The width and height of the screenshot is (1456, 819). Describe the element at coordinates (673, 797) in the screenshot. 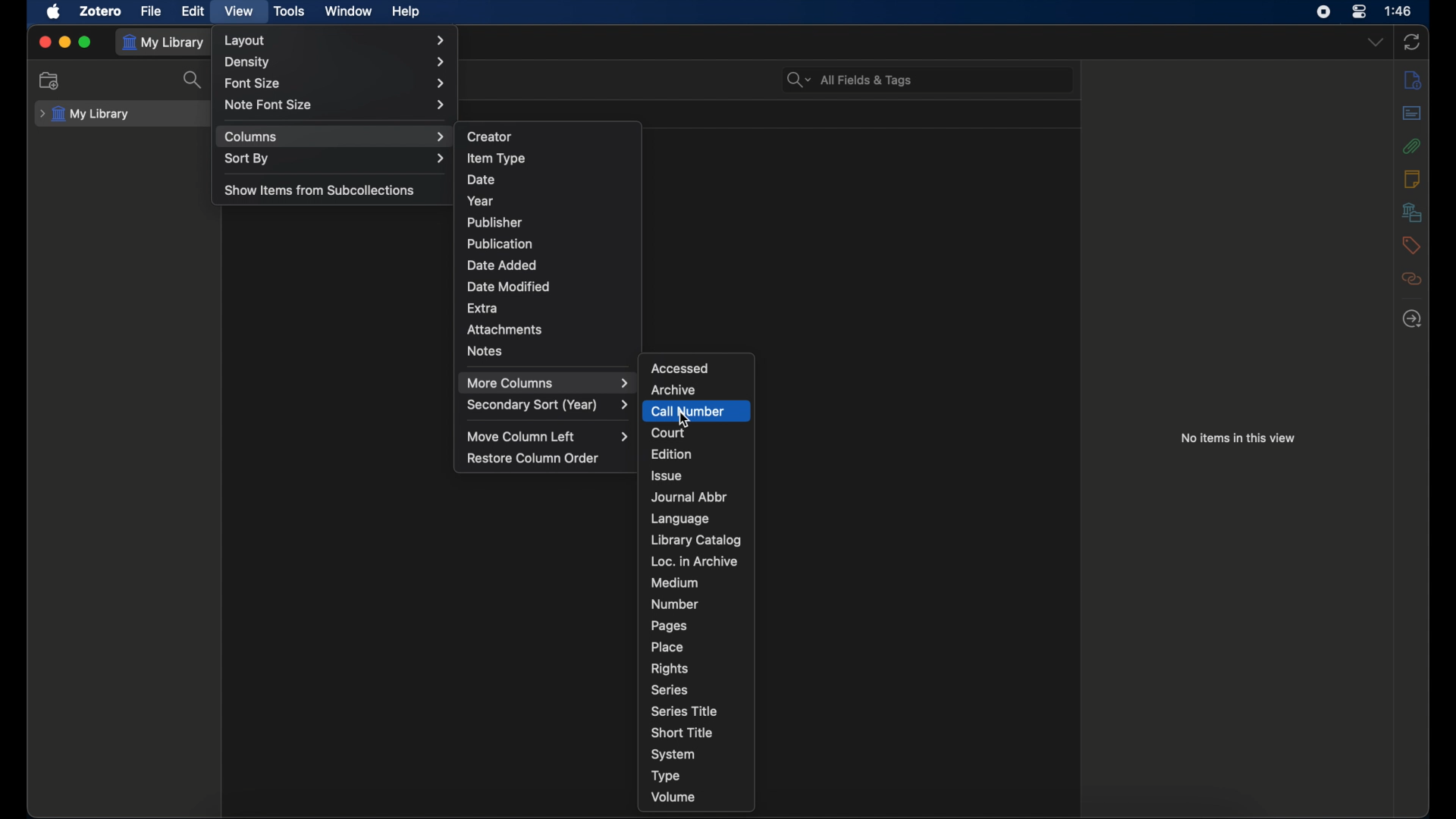

I see `volume` at that location.